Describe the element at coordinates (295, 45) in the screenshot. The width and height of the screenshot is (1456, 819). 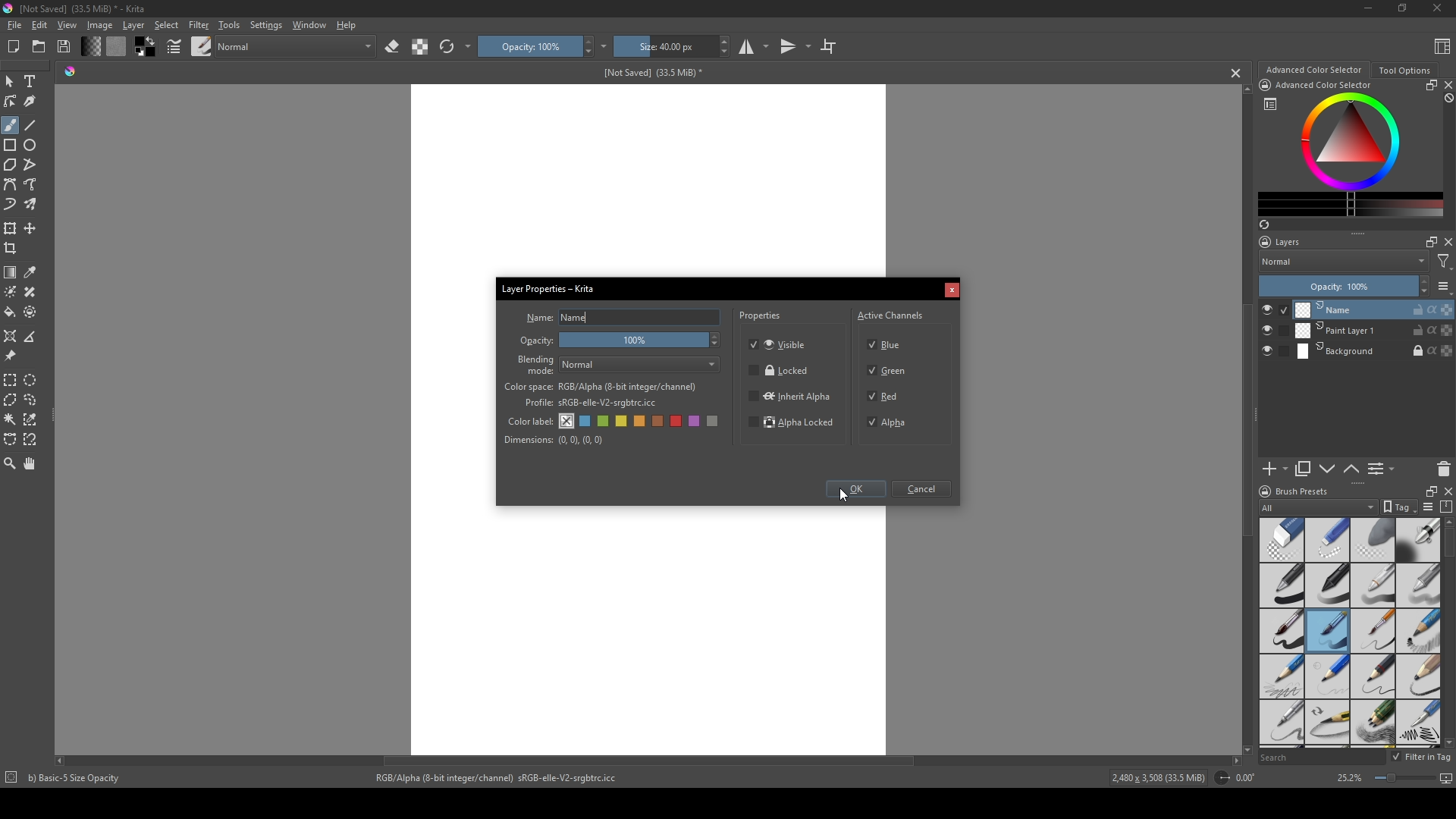
I see `normal` at that location.